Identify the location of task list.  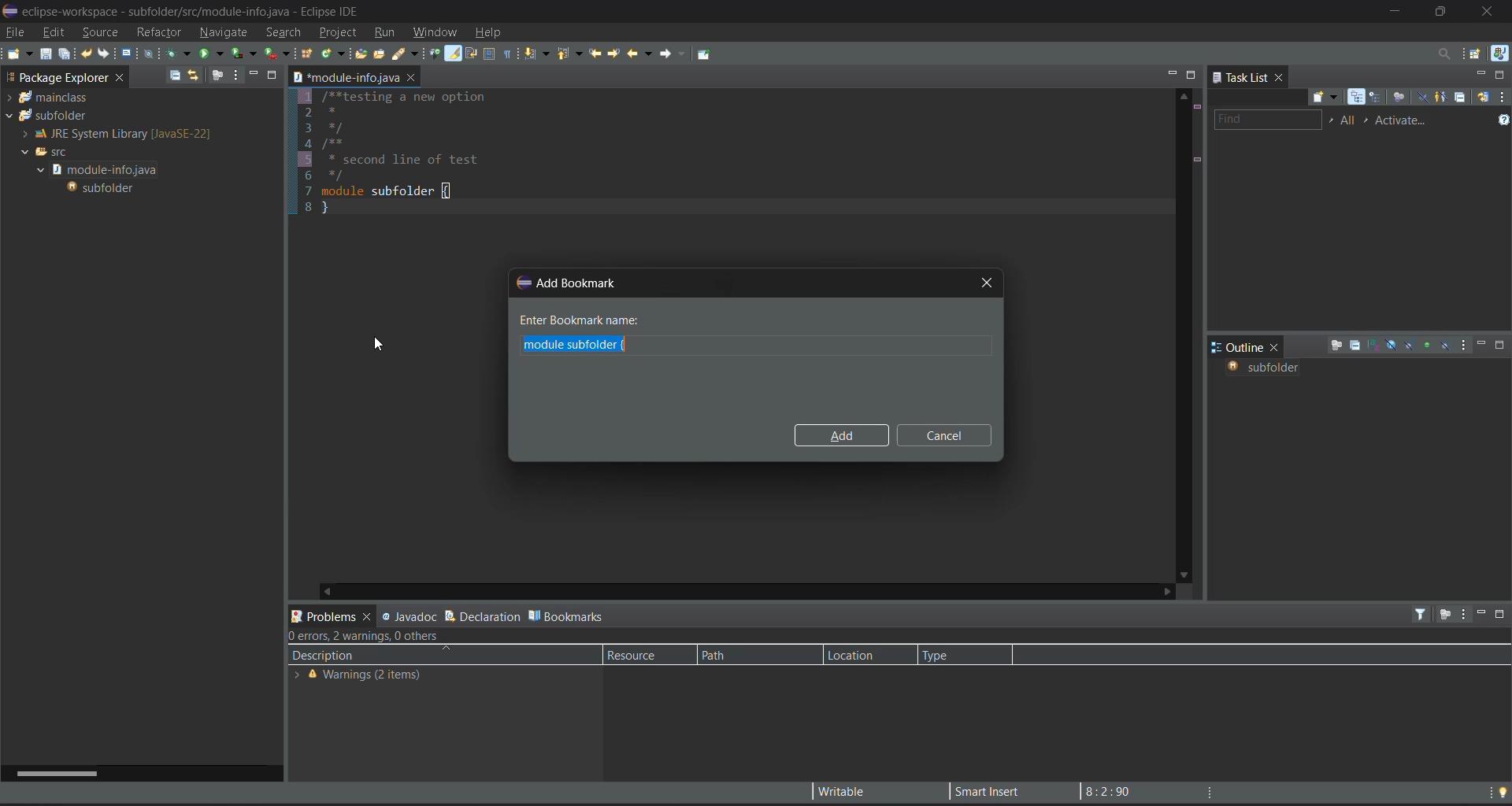
(1241, 78).